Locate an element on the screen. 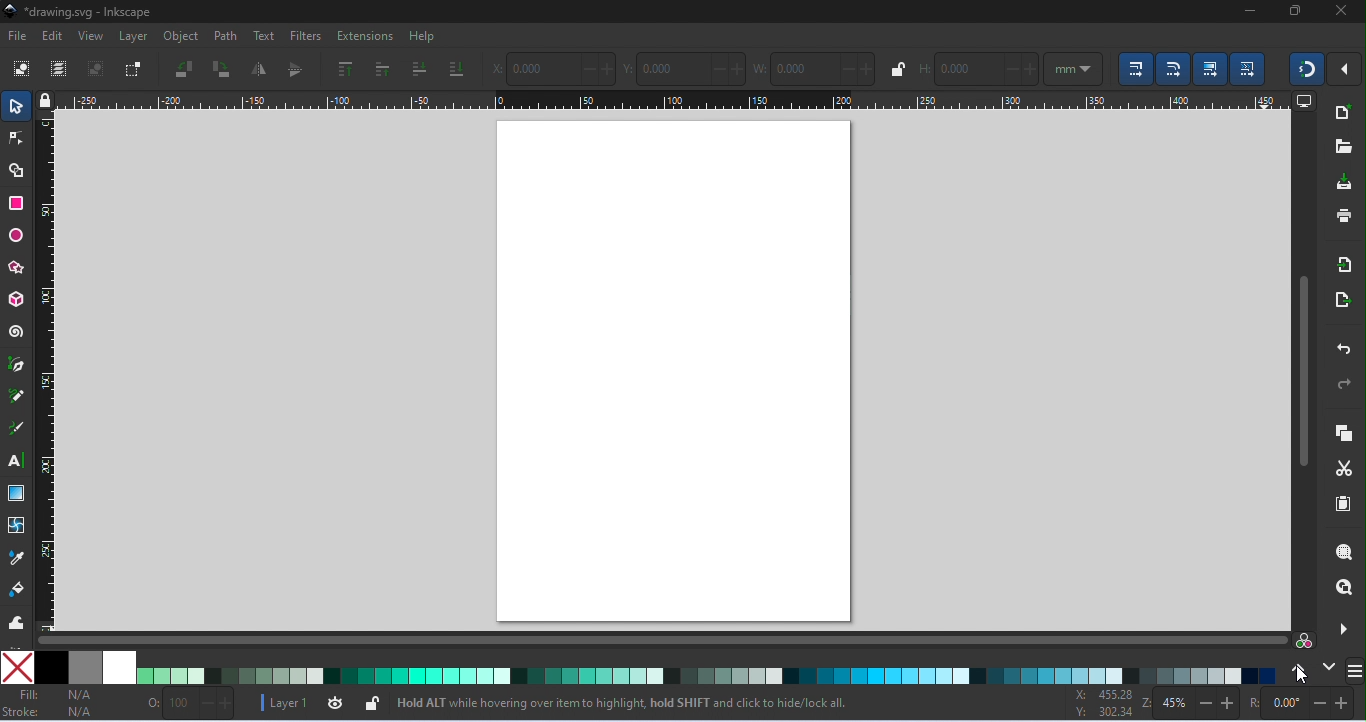  black is located at coordinates (51, 667).